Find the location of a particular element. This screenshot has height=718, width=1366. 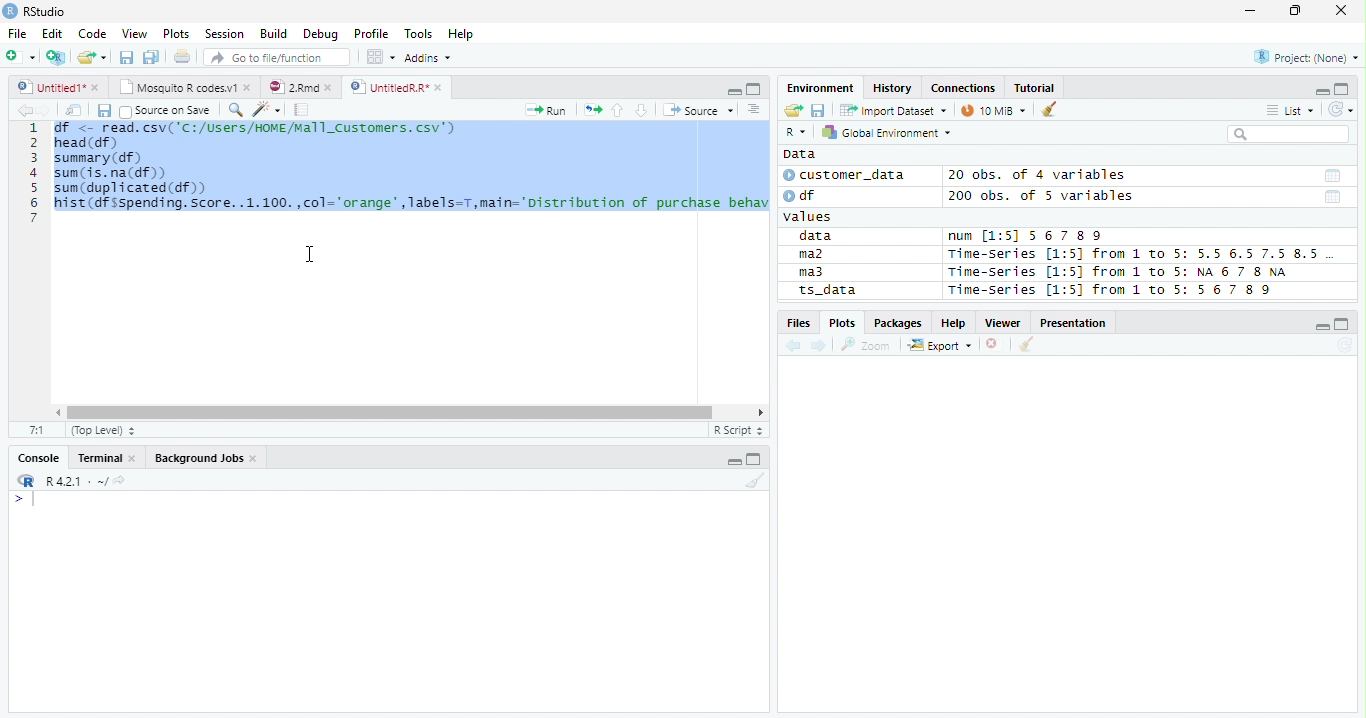

Tutorial is located at coordinates (1035, 87).